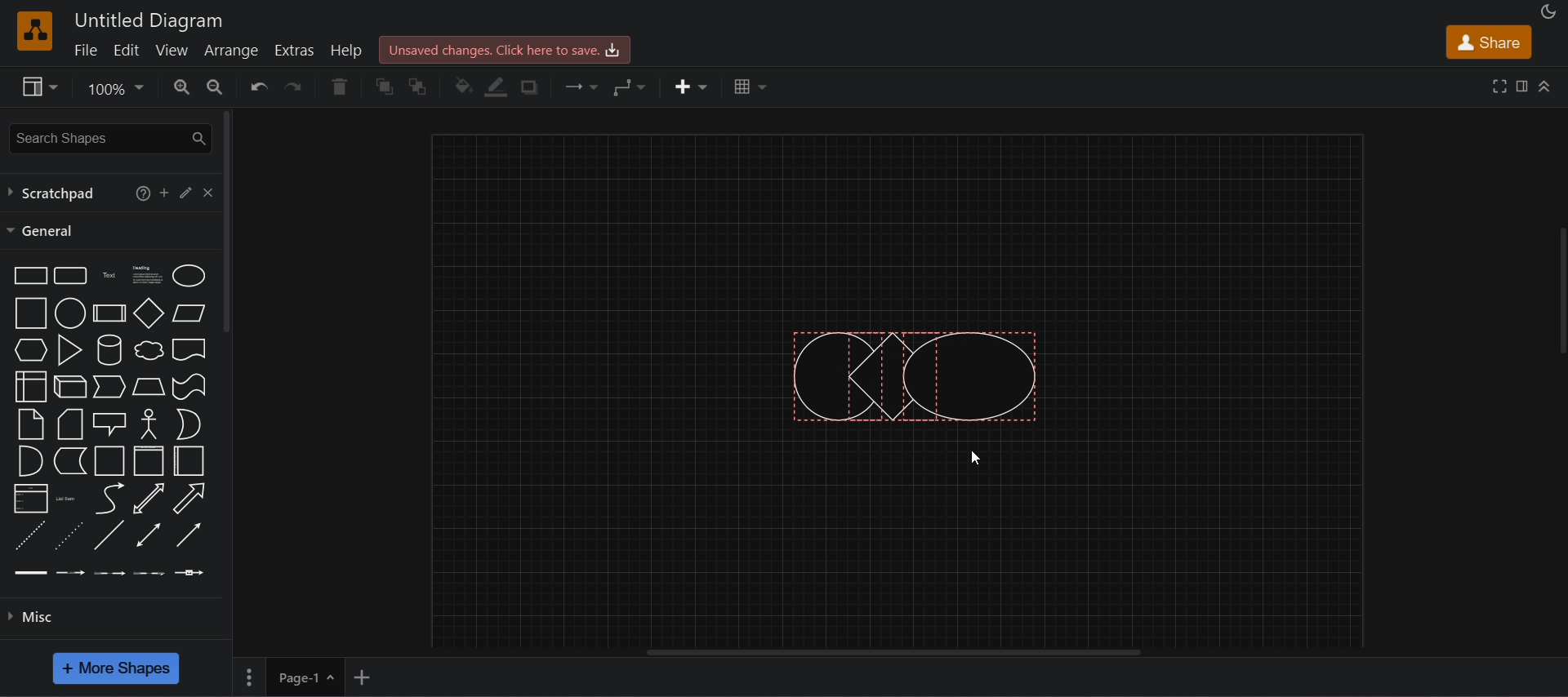  Describe the element at coordinates (213, 85) in the screenshot. I see `zoom out` at that location.